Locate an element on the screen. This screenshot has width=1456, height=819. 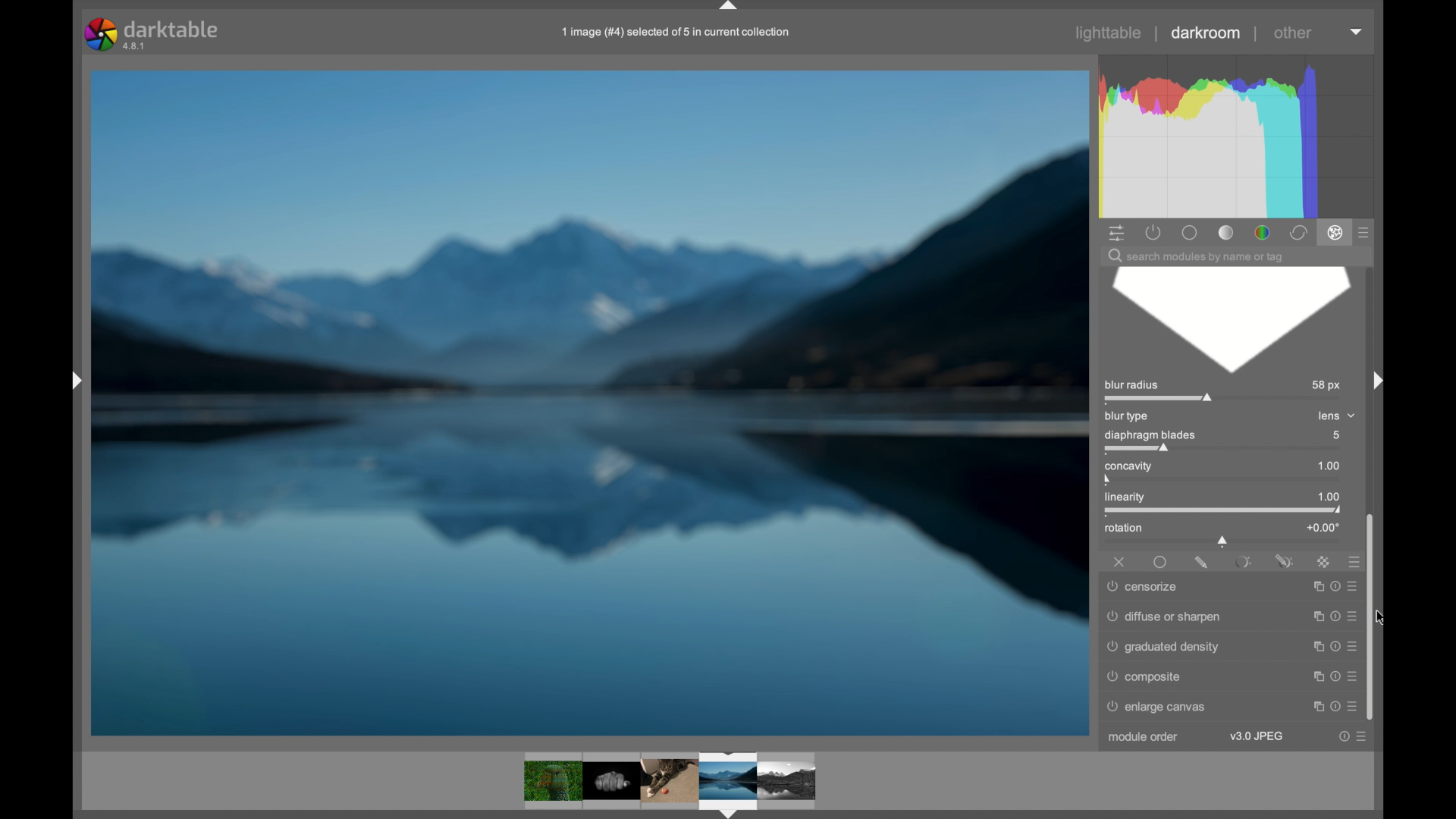
show quick access  panel is located at coordinates (1116, 232).